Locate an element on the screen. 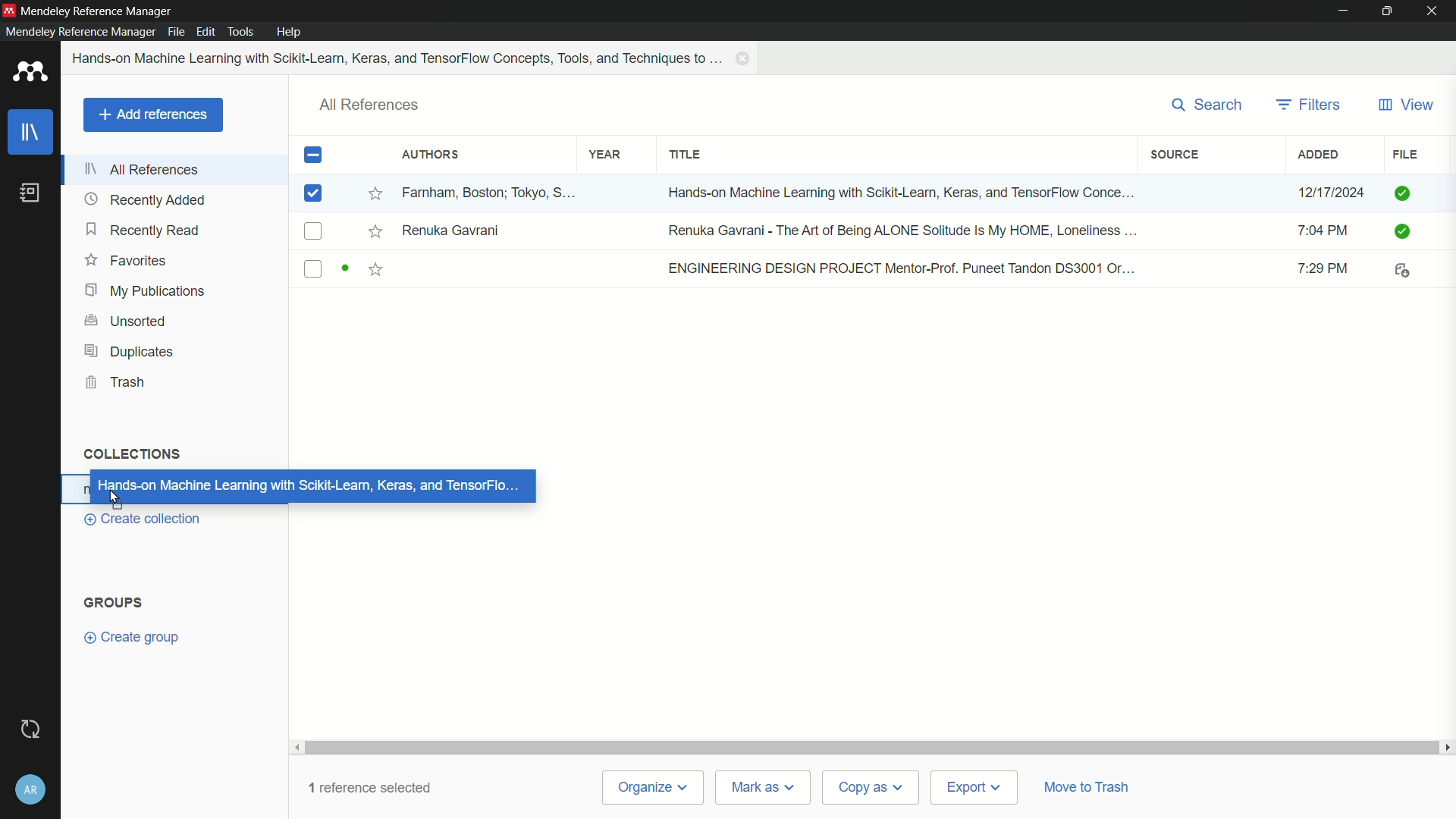 Image resolution: width=1456 pixels, height=819 pixels. authors is located at coordinates (429, 155).